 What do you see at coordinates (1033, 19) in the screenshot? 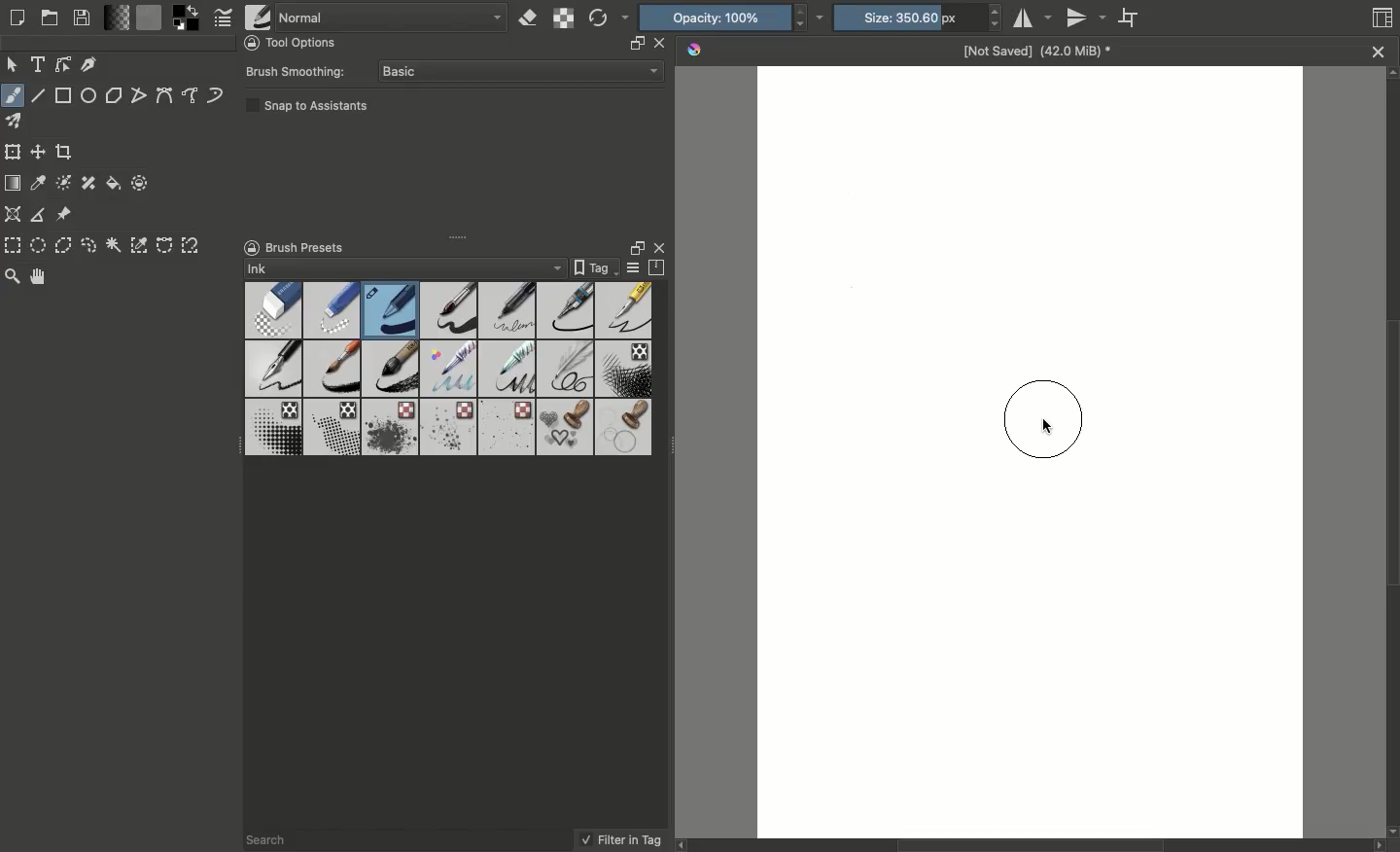
I see `Horizontal mirror` at bounding box center [1033, 19].